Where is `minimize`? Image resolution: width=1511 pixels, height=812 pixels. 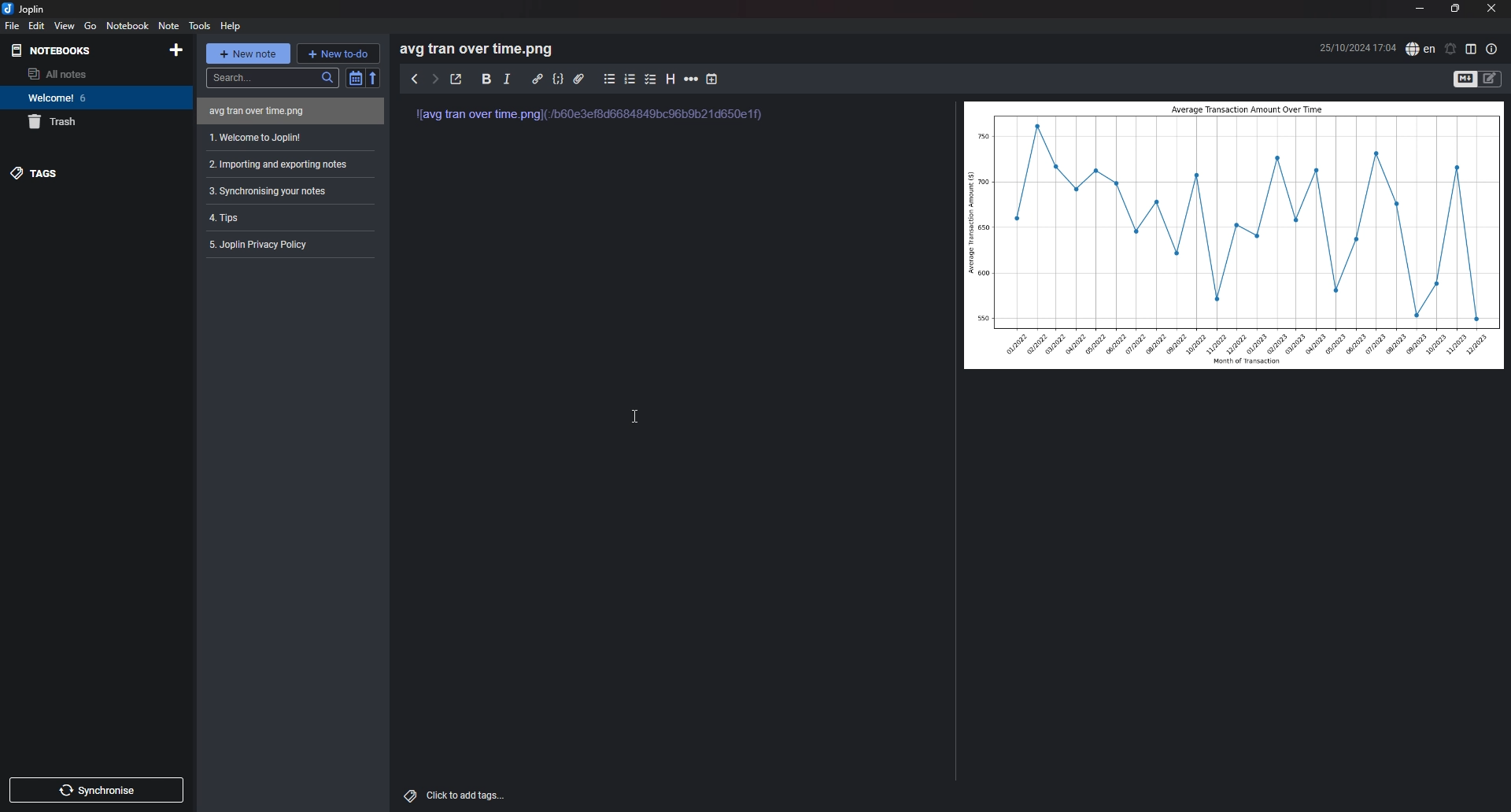
minimize is located at coordinates (1420, 9).